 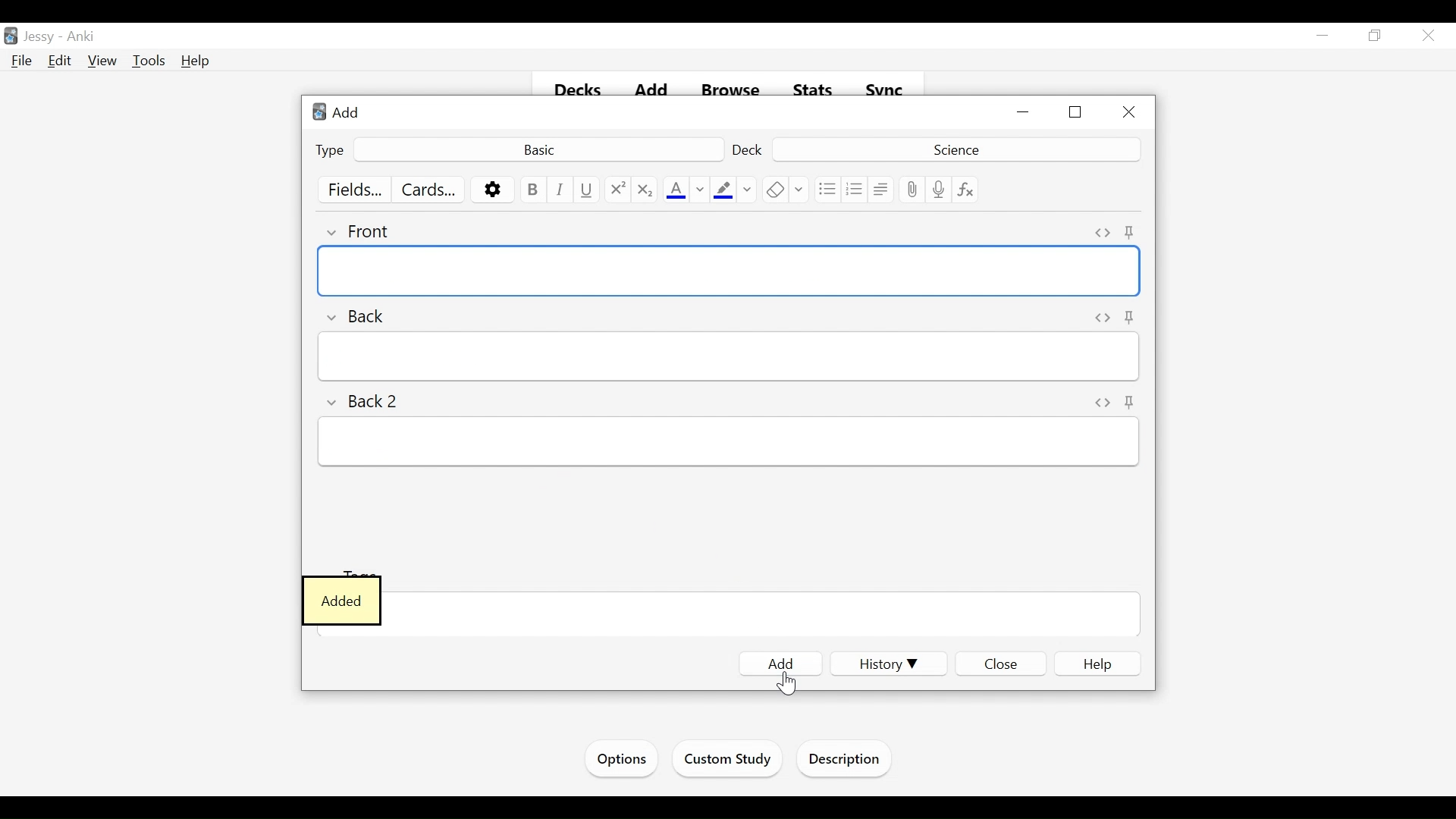 I want to click on Sync, so click(x=885, y=90).